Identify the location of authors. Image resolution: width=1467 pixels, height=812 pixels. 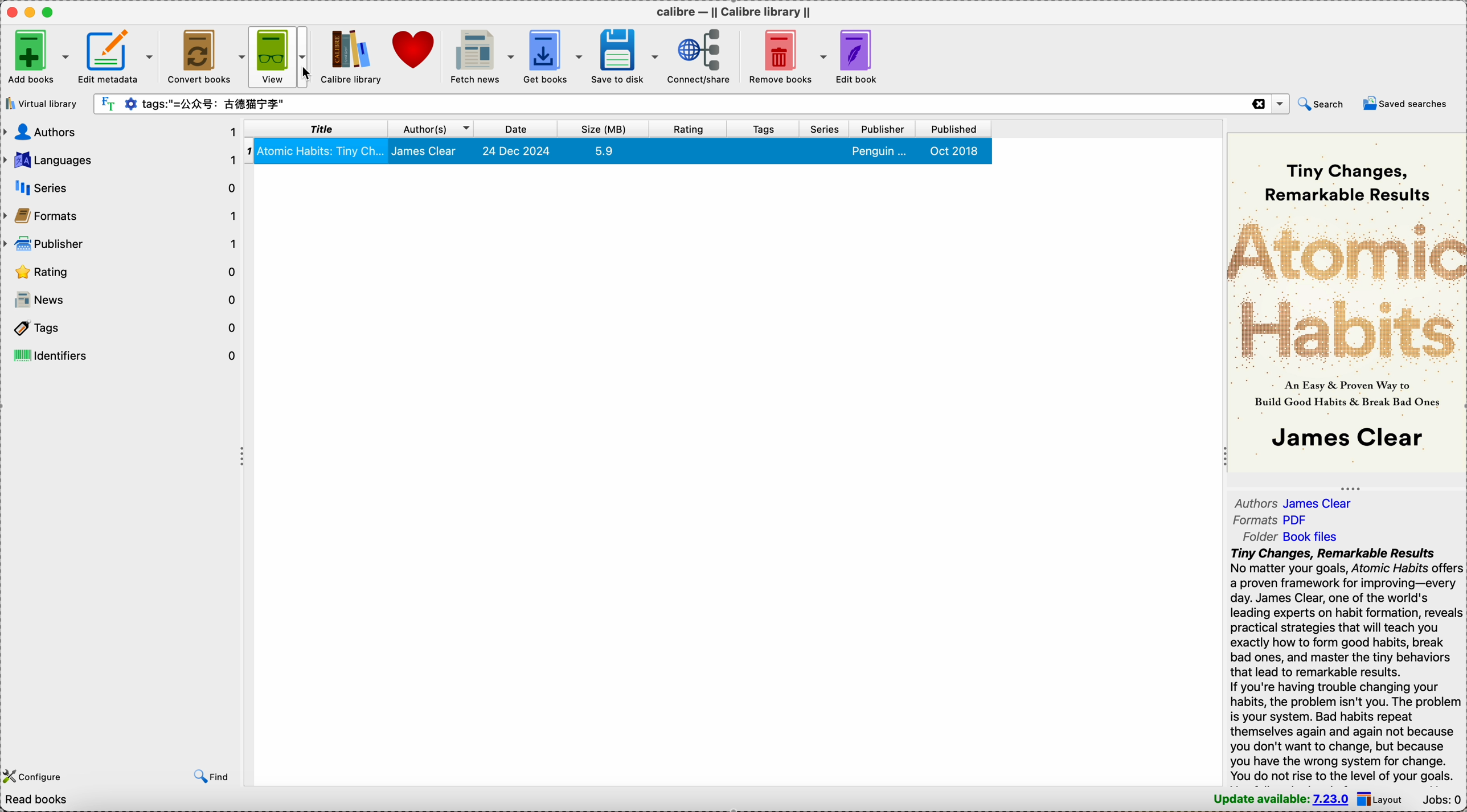
(121, 133).